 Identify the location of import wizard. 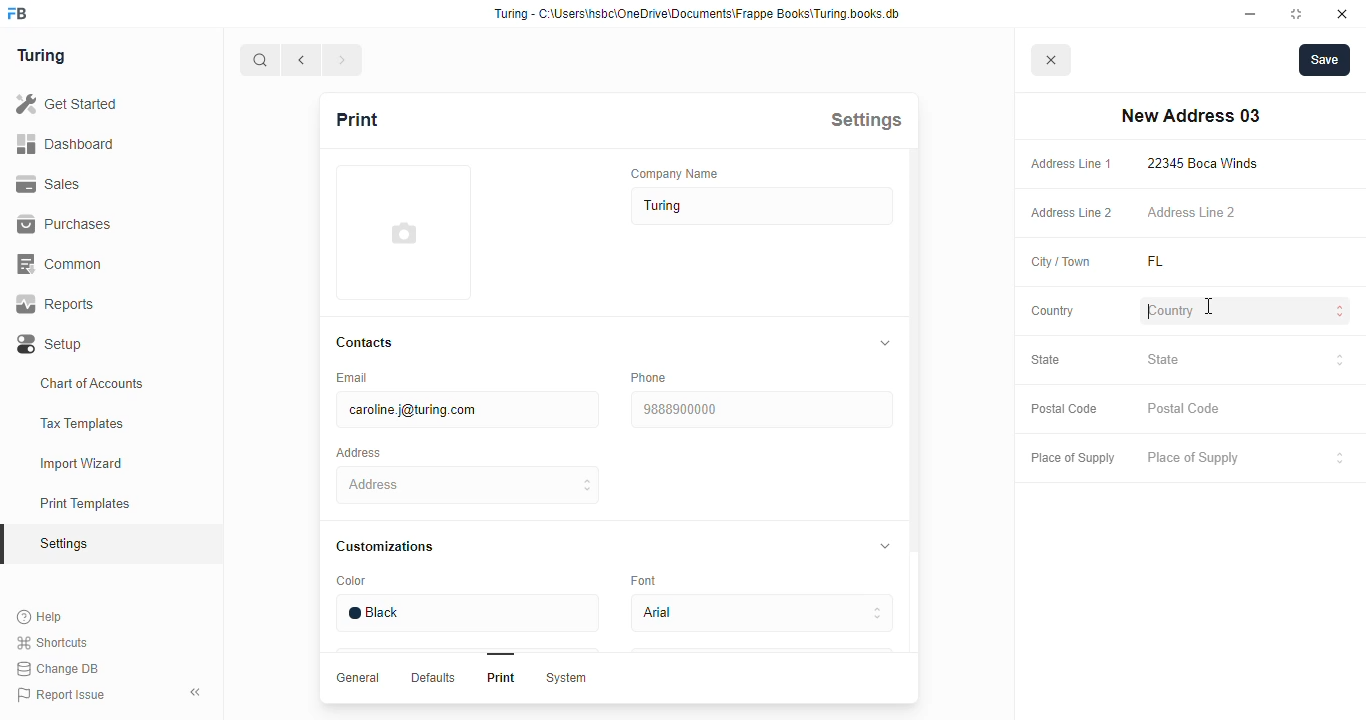
(82, 464).